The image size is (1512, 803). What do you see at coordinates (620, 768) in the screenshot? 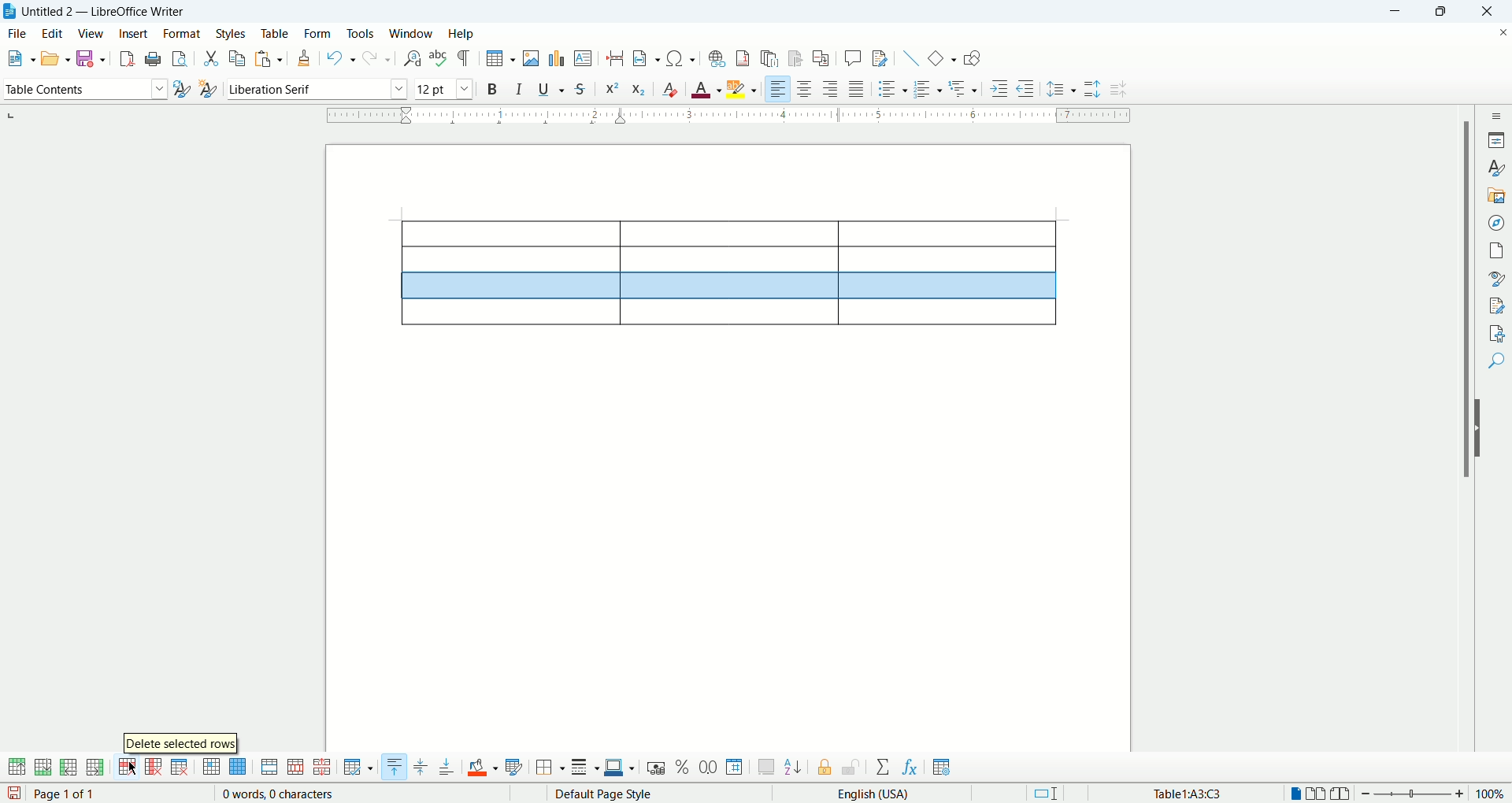
I see `border color` at bounding box center [620, 768].